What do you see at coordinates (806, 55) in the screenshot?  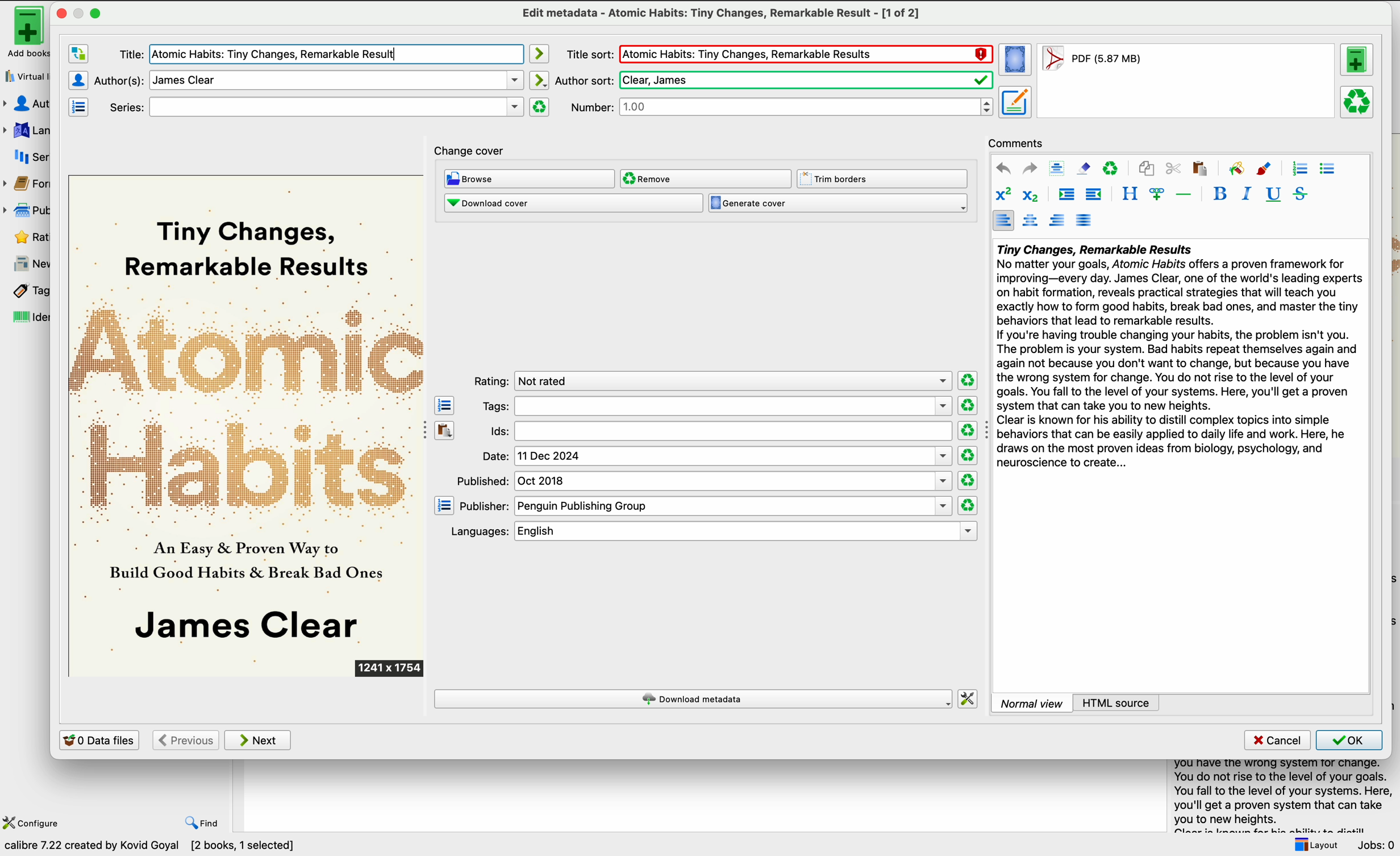 I see `title in red` at bounding box center [806, 55].